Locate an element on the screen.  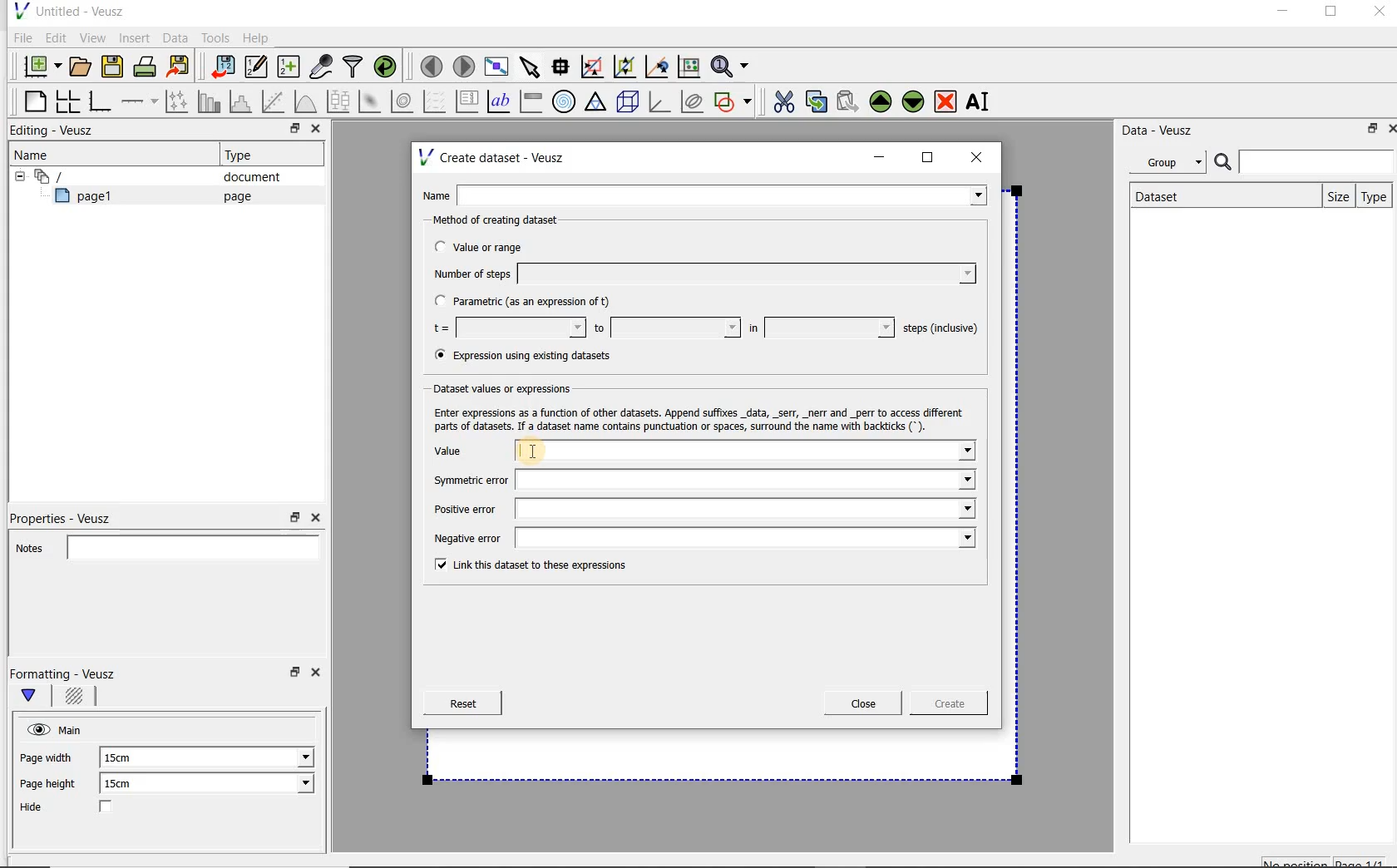
No position is located at coordinates (1297, 861).